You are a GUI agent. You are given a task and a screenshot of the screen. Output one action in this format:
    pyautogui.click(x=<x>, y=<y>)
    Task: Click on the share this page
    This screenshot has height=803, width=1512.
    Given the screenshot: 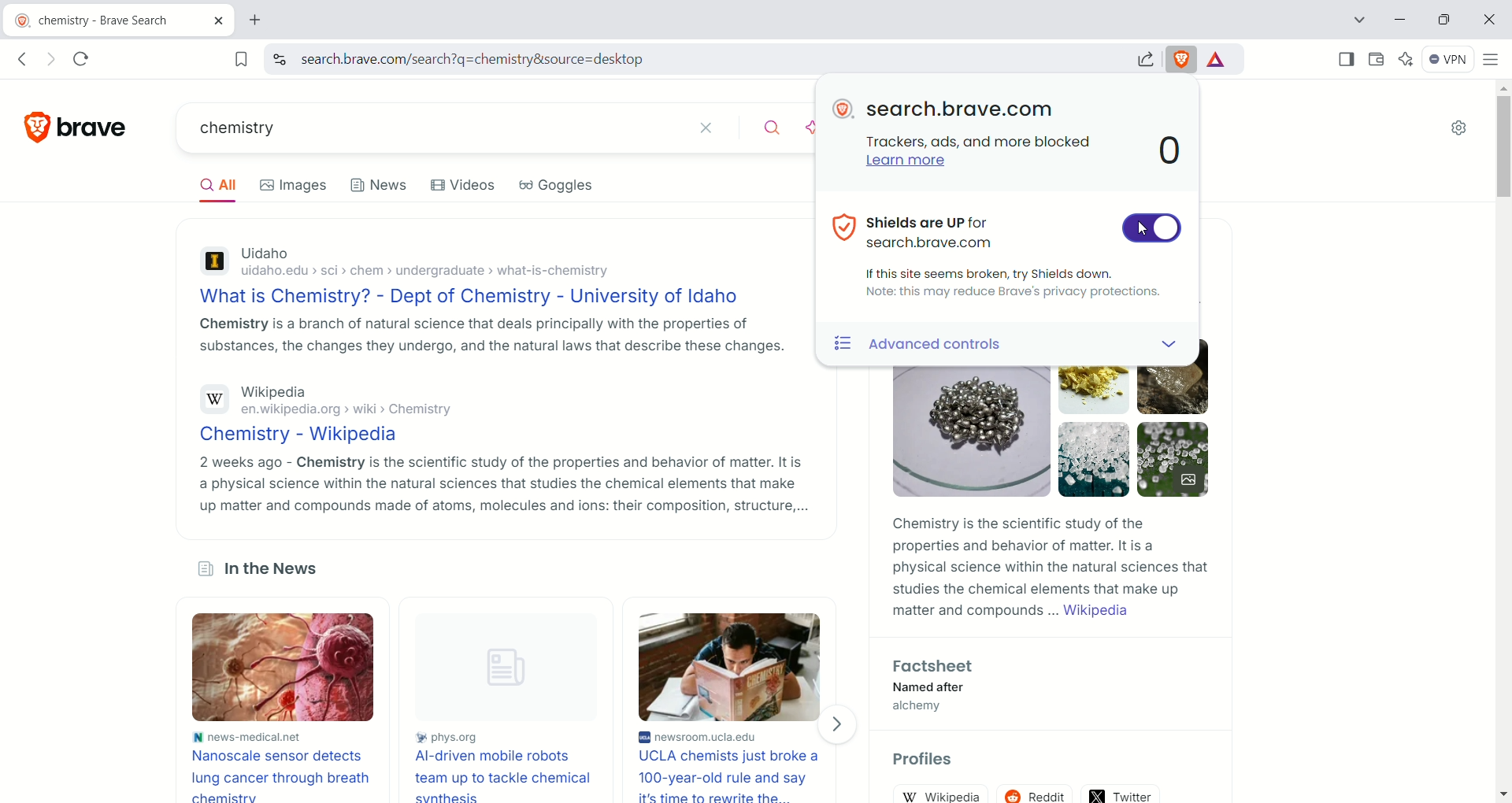 What is the action you would take?
    pyautogui.click(x=1142, y=57)
    